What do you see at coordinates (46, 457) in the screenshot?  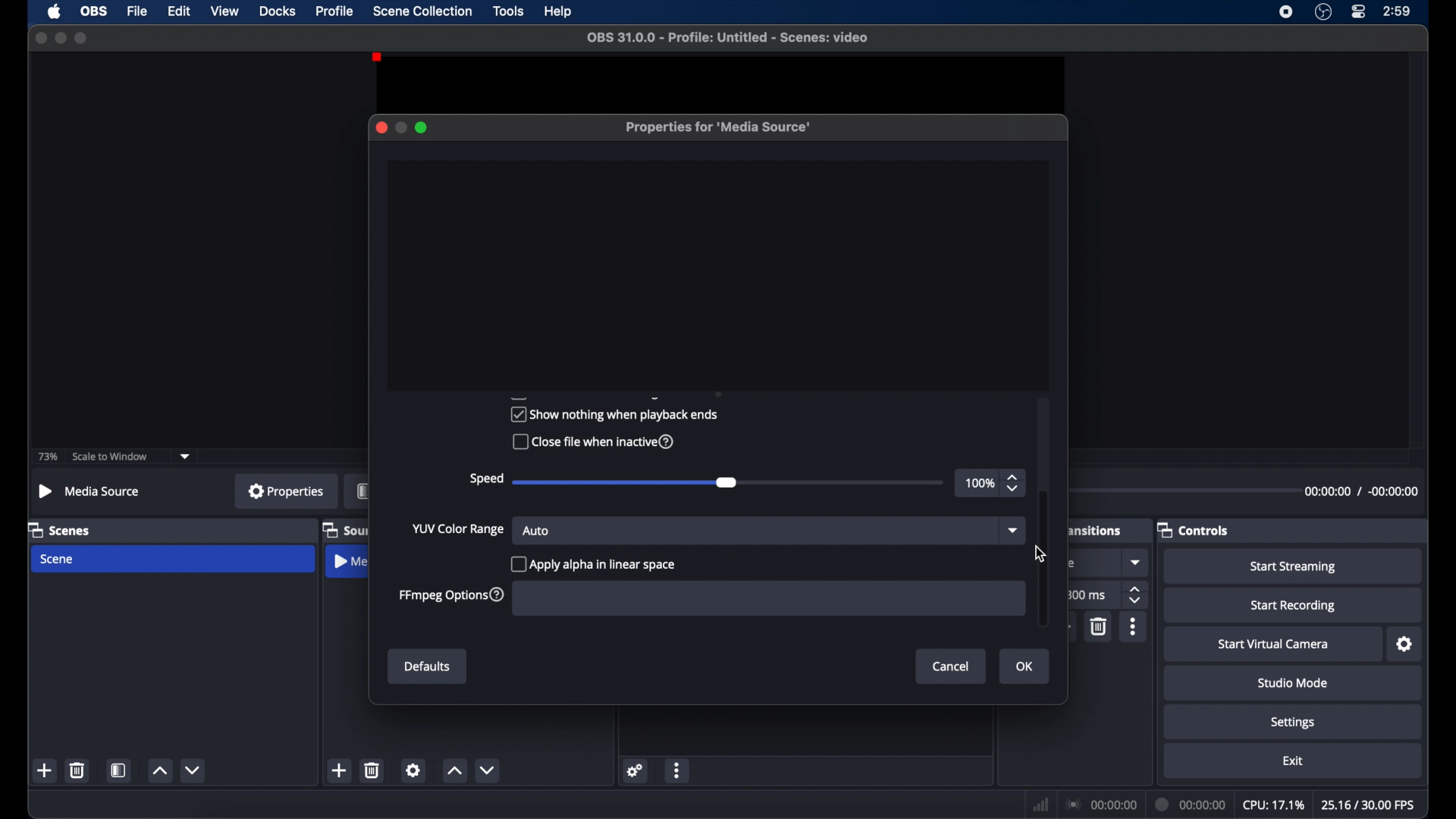 I see `73%` at bounding box center [46, 457].